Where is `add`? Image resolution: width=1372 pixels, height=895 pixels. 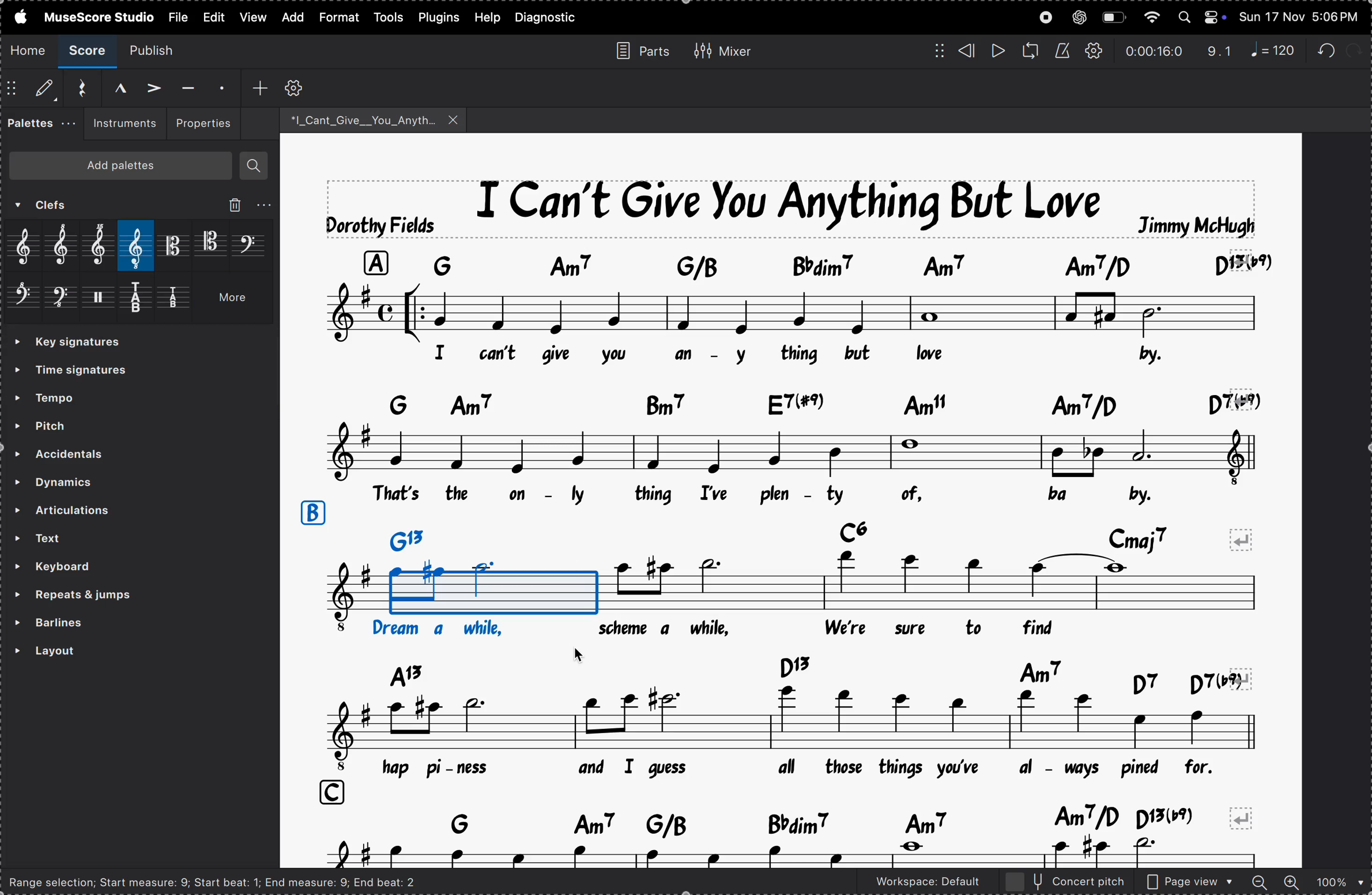 add is located at coordinates (290, 17).